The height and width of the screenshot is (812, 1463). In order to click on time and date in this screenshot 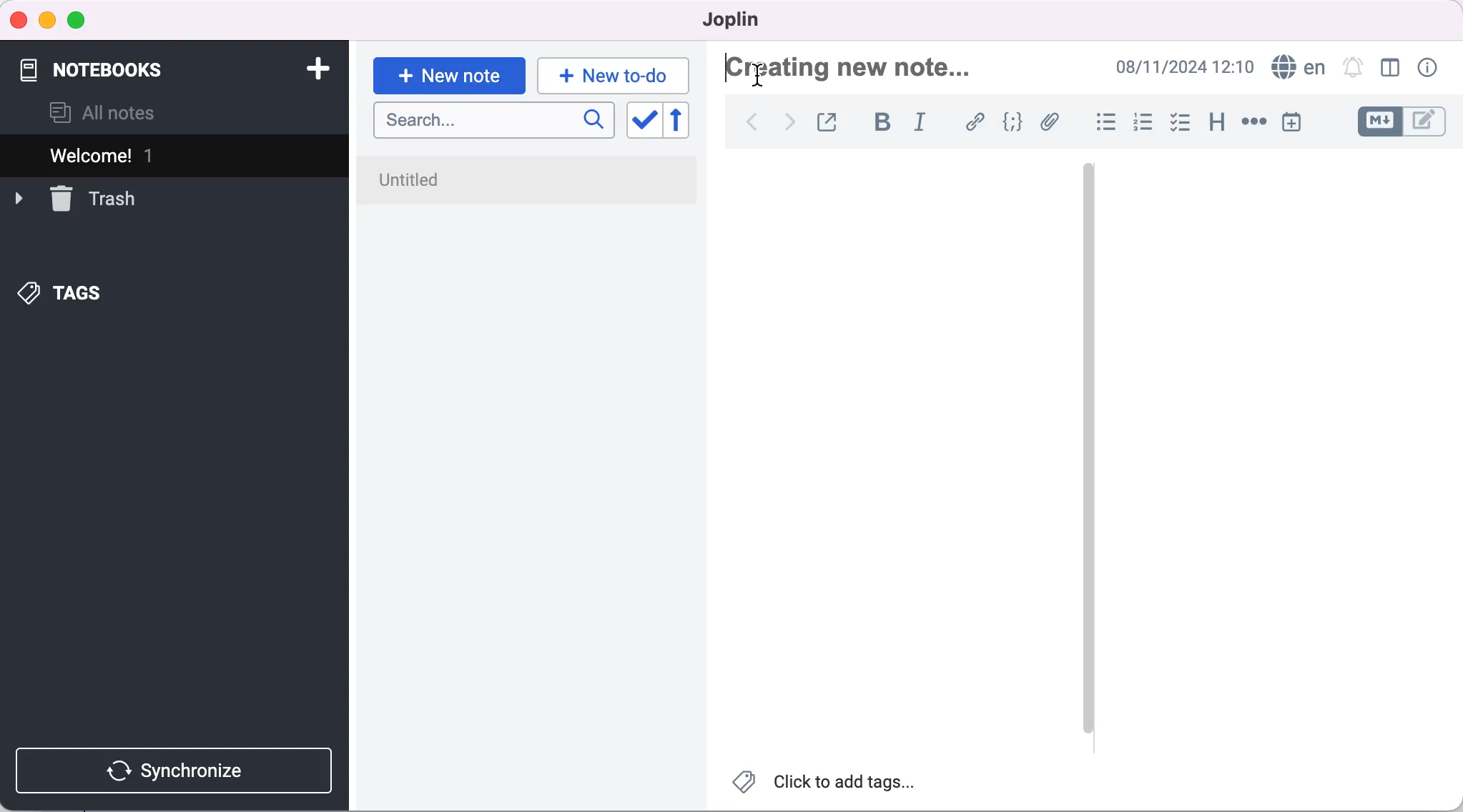, I will do `click(1187, 66)`.